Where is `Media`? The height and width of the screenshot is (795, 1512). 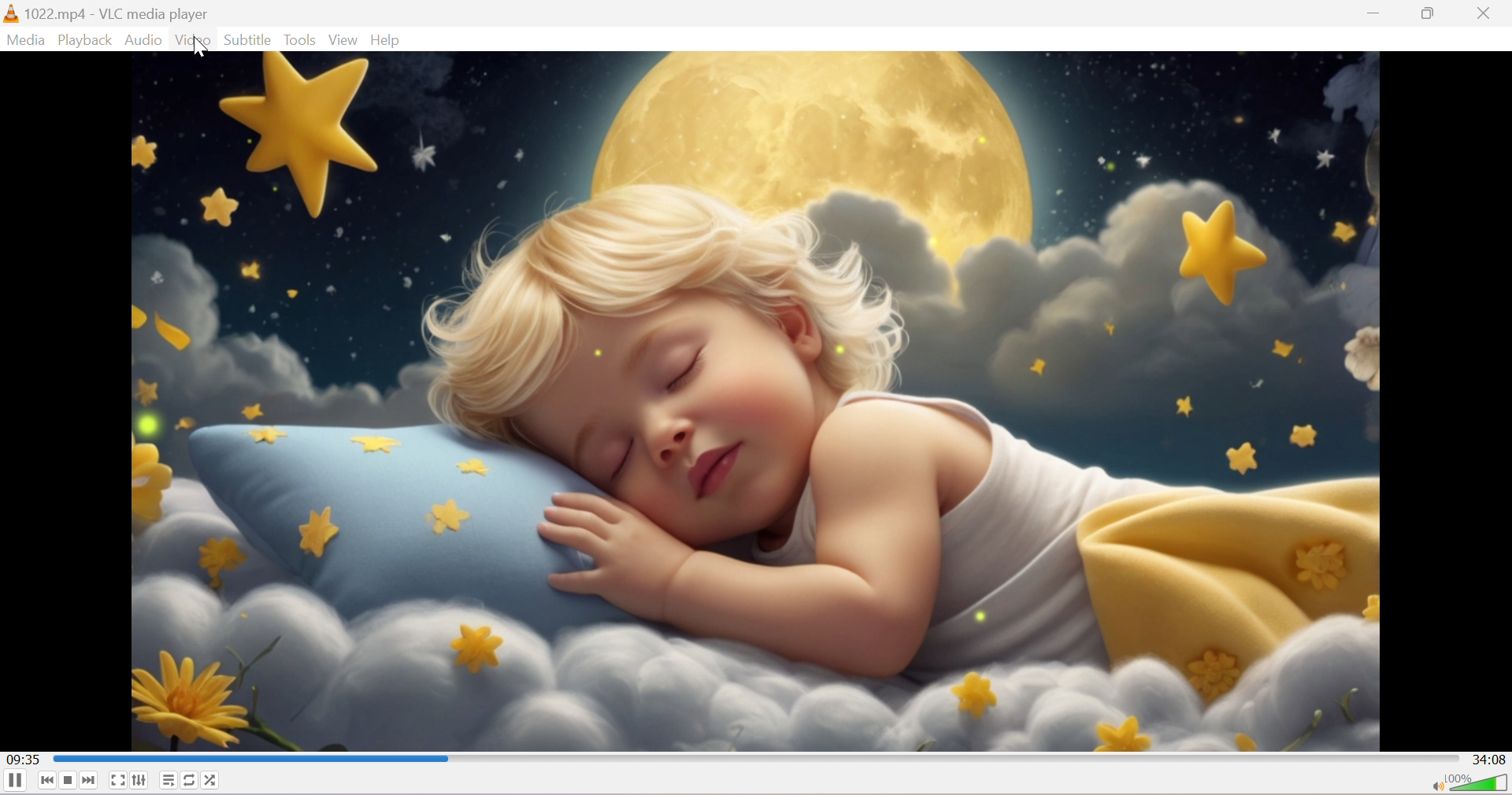 Media is located at coordinates (28, 40).